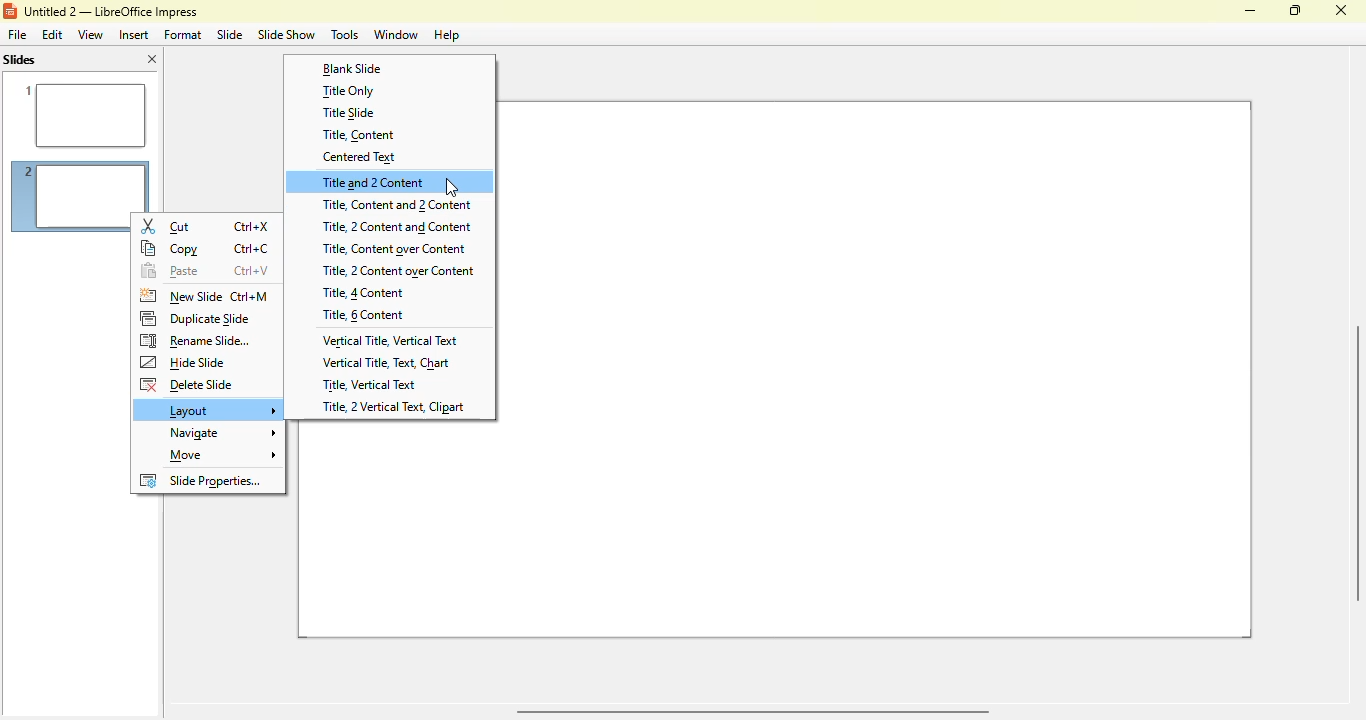 The width and height of the screenshot is (1366, 720). What do you see at coordinates (358, 157) in the screenshot?
I see `centered text` at bounding box center [358, 157].